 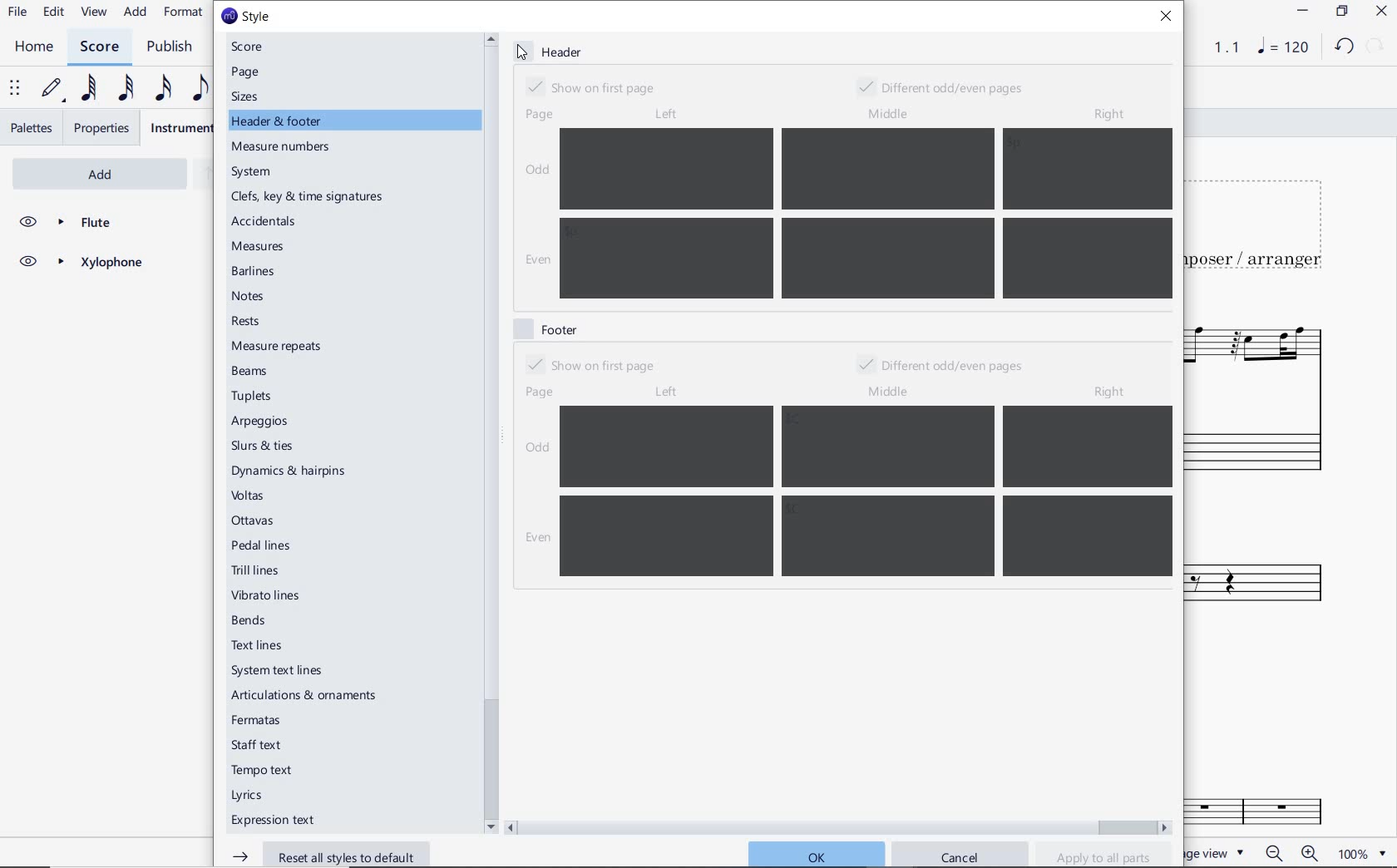 I want to click on left, so click(x=665, y=392).